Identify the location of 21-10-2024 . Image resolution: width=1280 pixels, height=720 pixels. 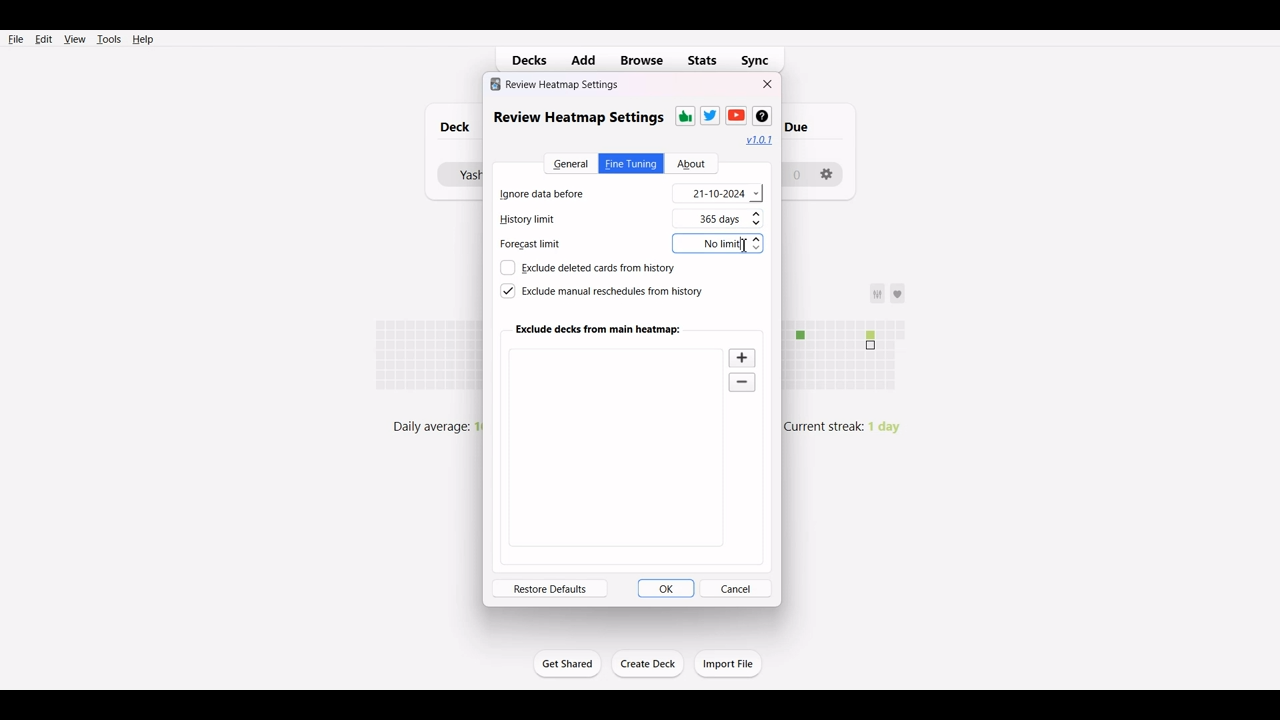
(718, 193).